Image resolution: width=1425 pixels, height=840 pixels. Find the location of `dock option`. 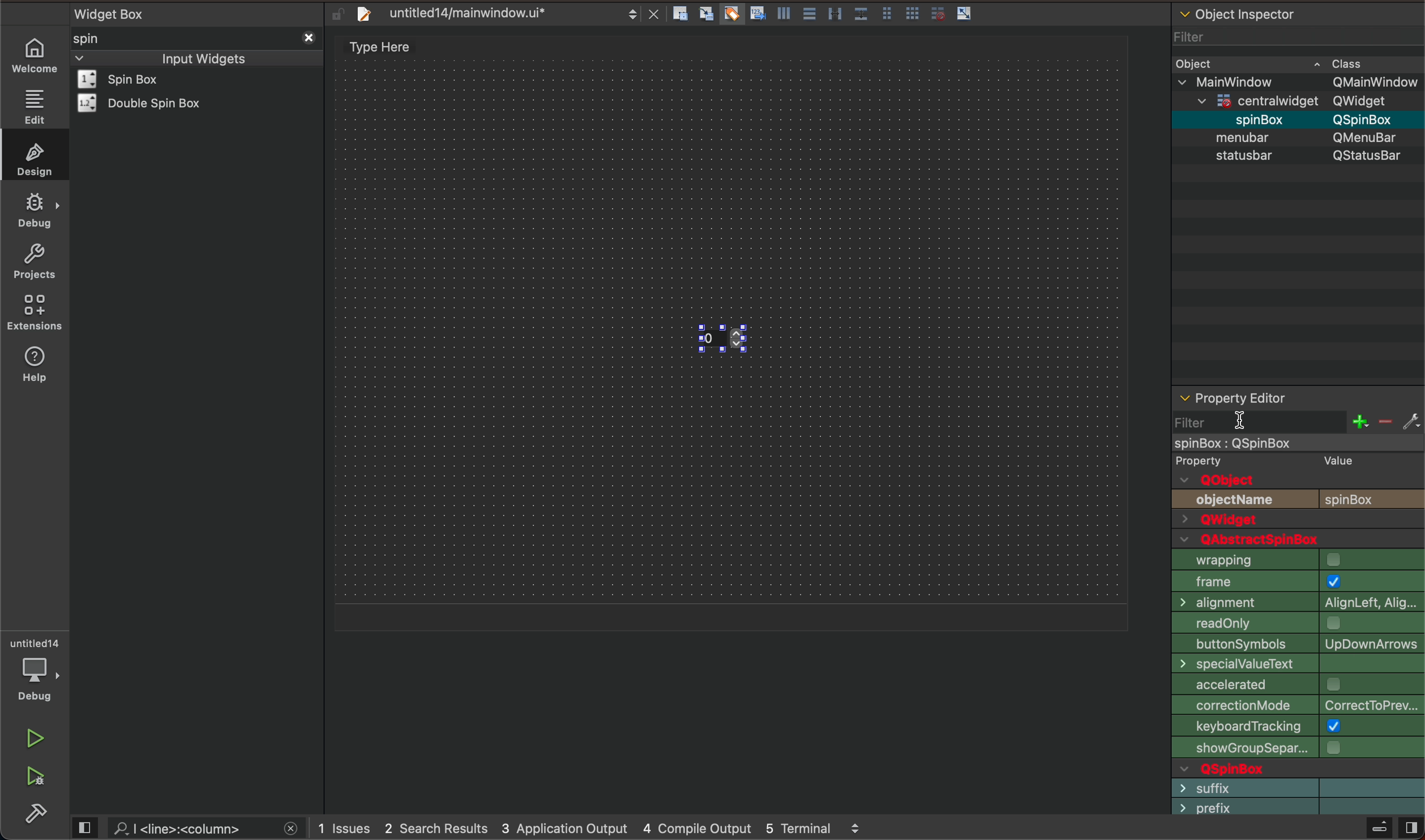

dock option is located at coordinates (1295, 684).